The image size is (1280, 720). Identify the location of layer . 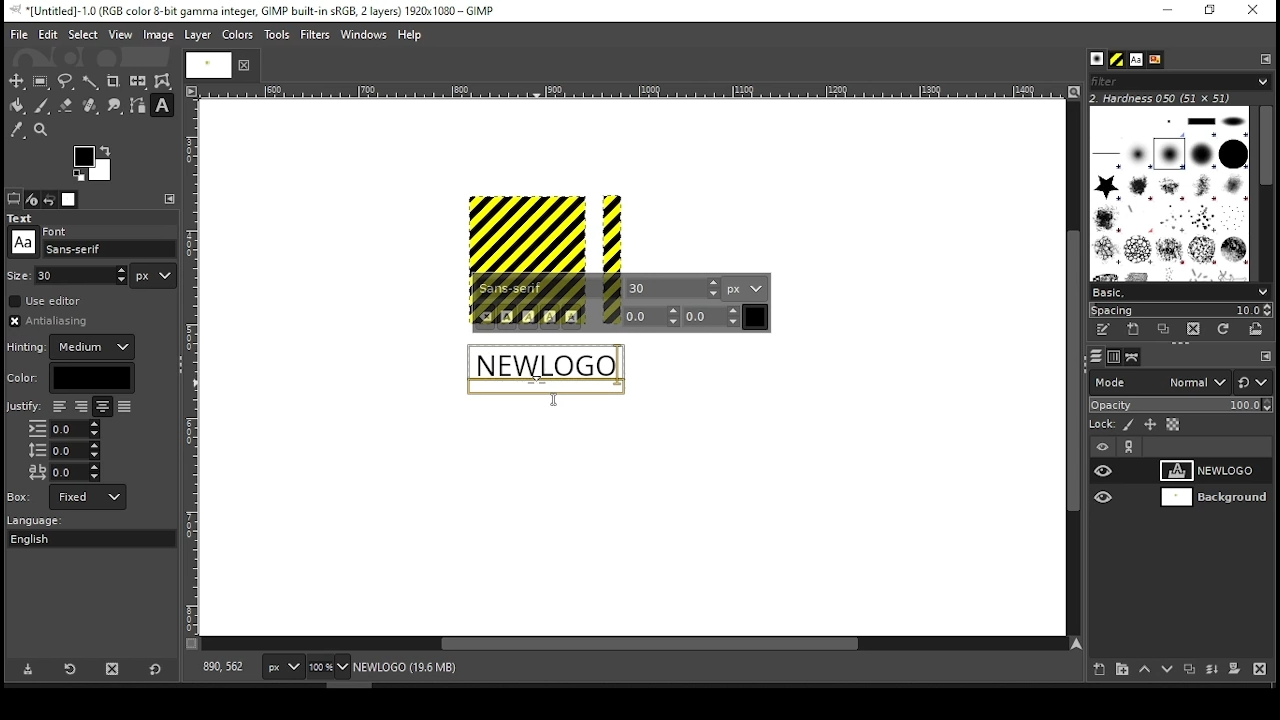
(1213, 471).